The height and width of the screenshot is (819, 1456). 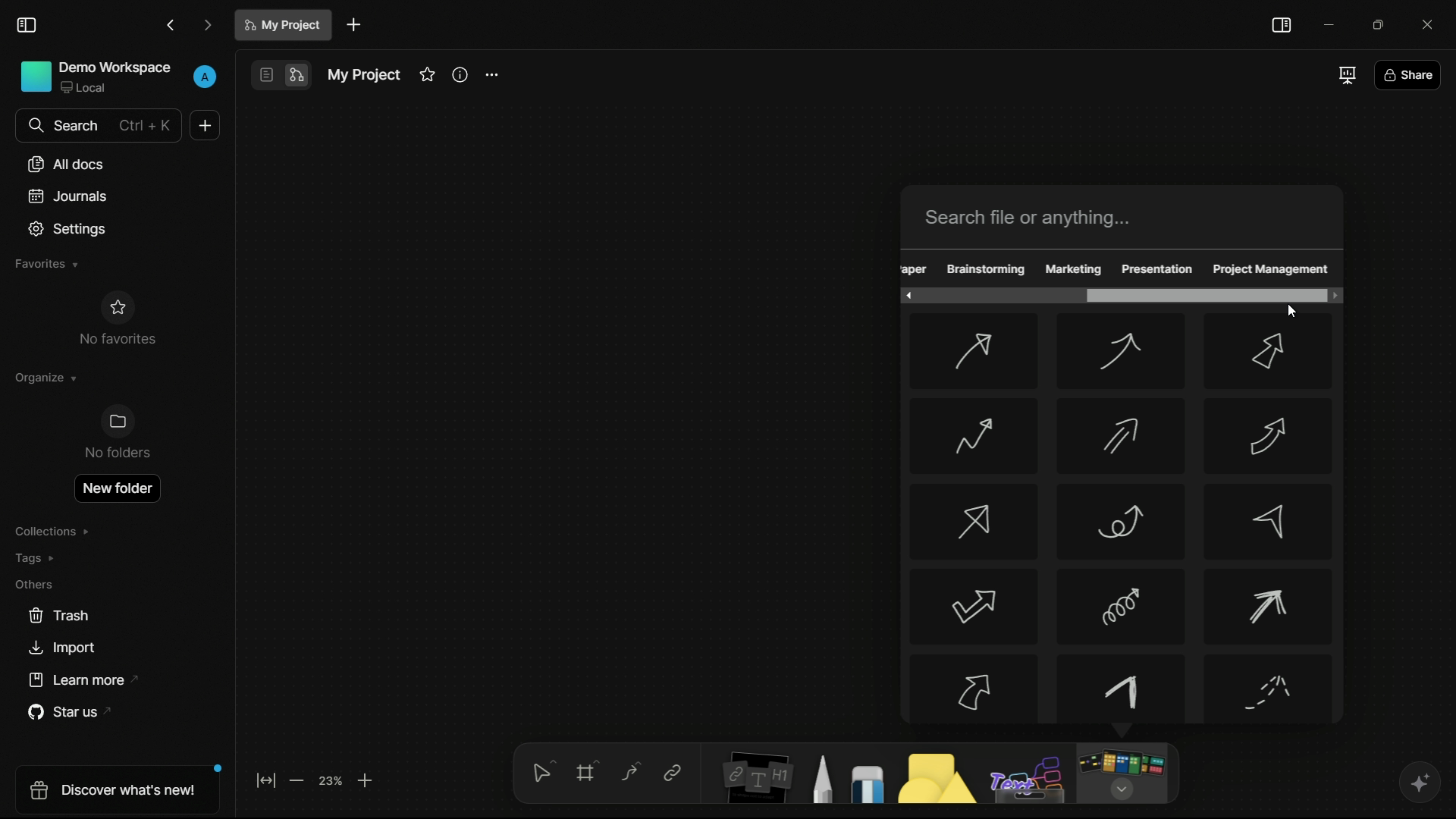 I want to click on collections, so click(x=52, y=532).